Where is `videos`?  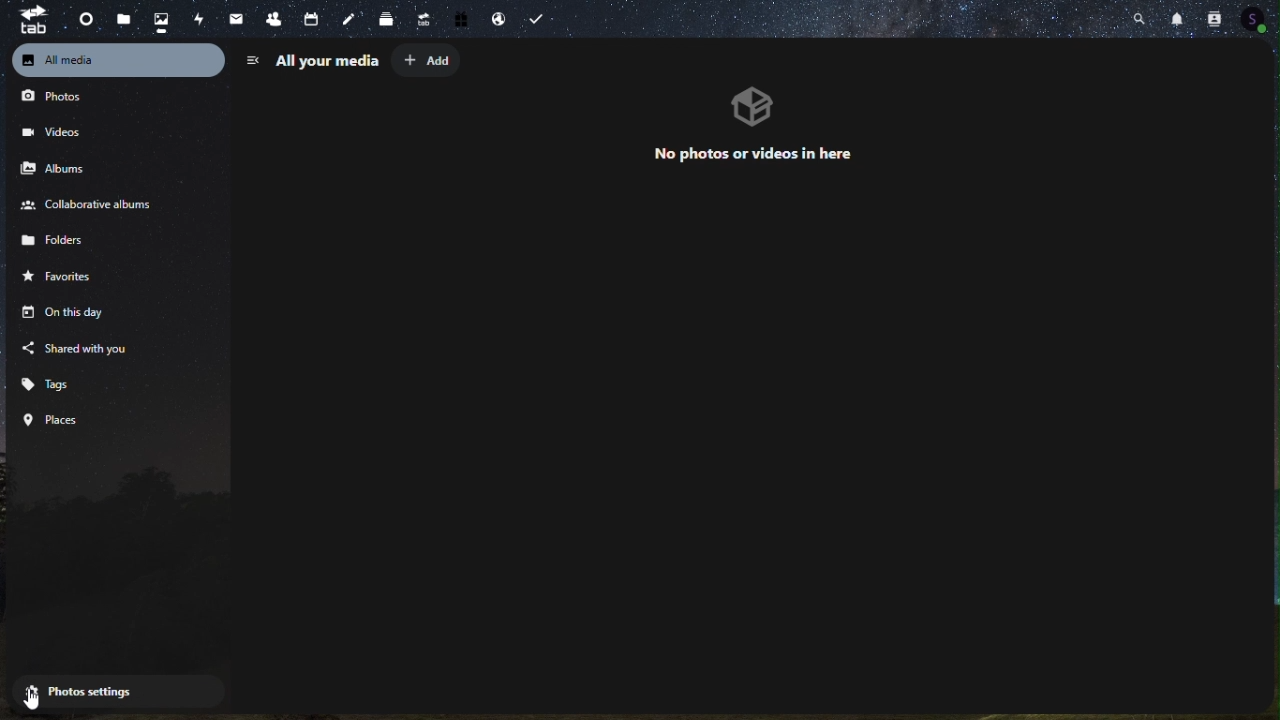 videos is located at coordinates (56, 131).